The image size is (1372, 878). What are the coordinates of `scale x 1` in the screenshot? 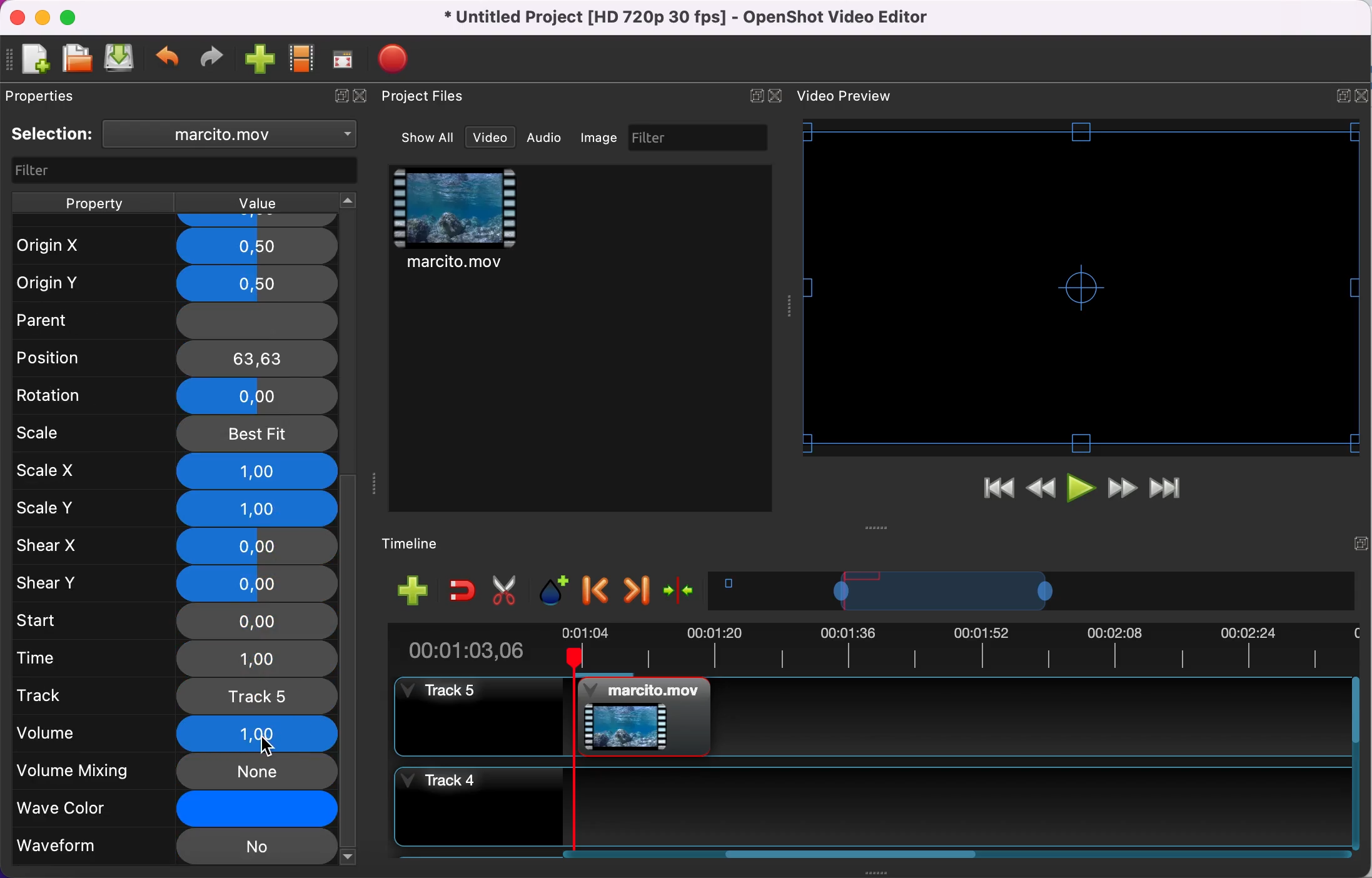 It's located at (176, 472).